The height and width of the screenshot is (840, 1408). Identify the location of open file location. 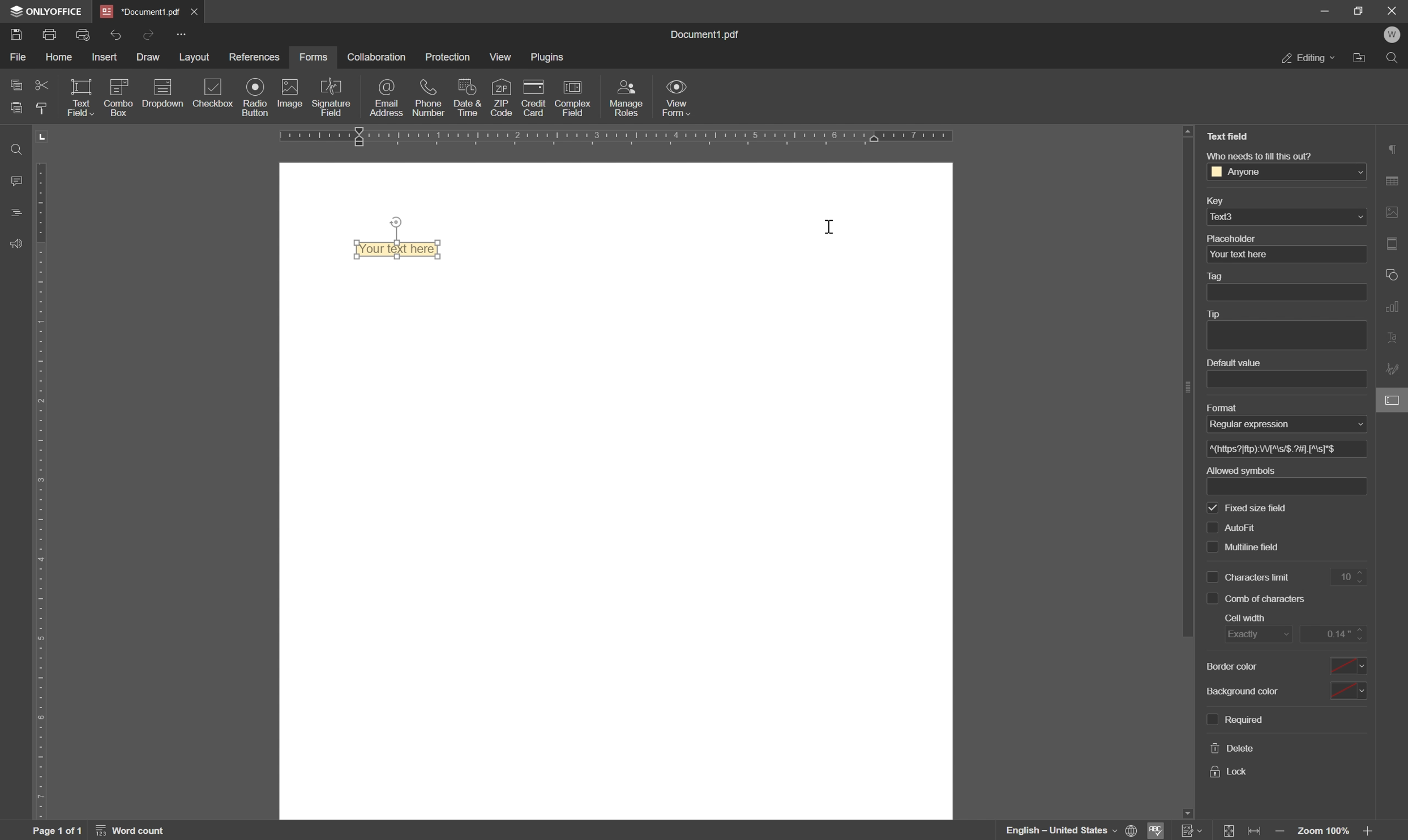
(1359, 58).